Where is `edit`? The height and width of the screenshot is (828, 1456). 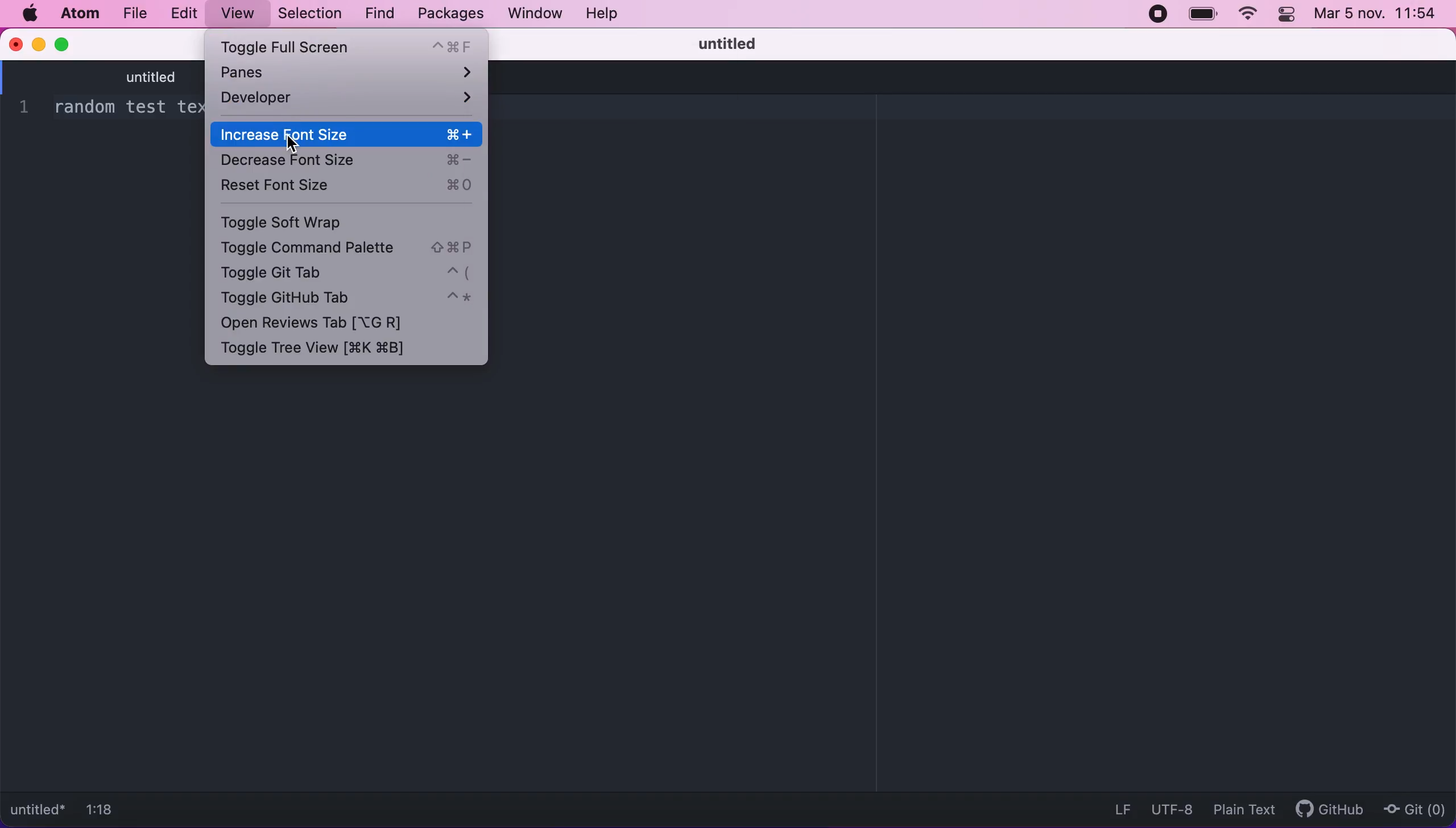
edit is located at coordinates (188, 14).